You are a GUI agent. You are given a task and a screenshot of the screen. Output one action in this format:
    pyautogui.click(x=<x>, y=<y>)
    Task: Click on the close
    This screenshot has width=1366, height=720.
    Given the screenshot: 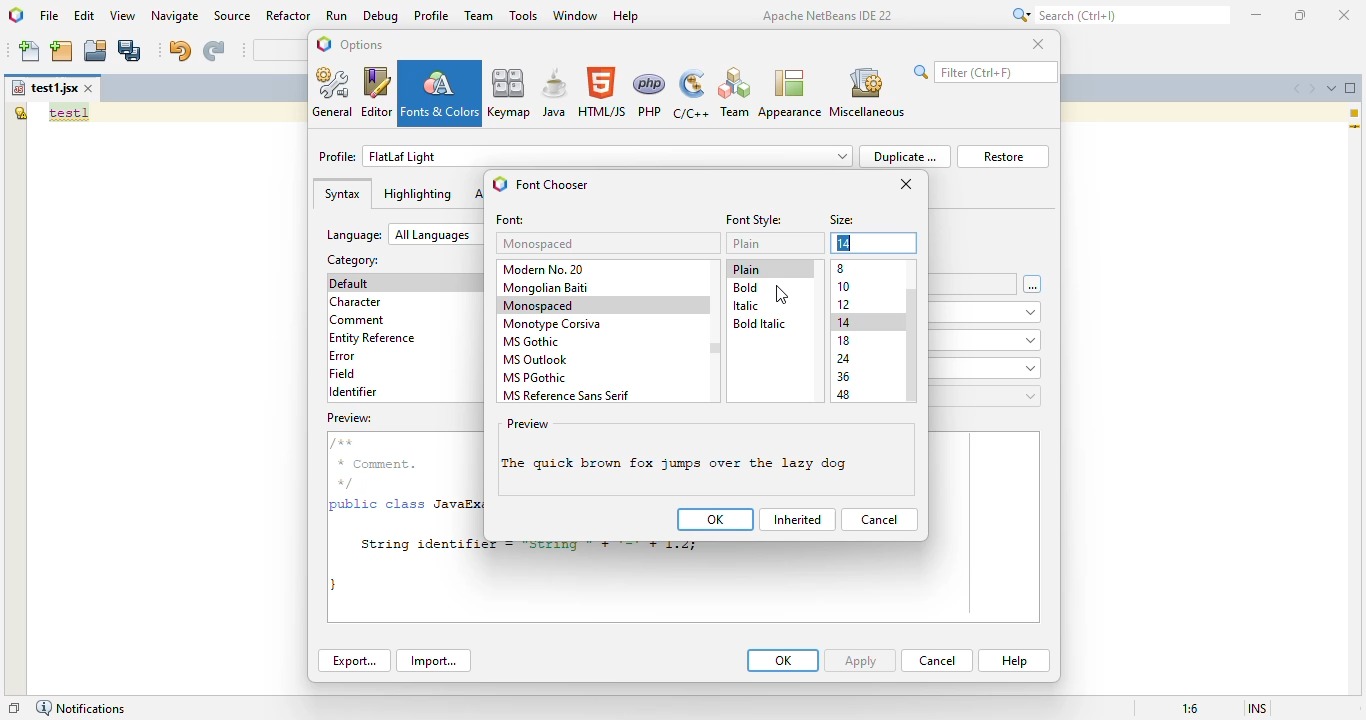 What is the action you would take?
    pyautogui.click(x=1343, y=14)
    